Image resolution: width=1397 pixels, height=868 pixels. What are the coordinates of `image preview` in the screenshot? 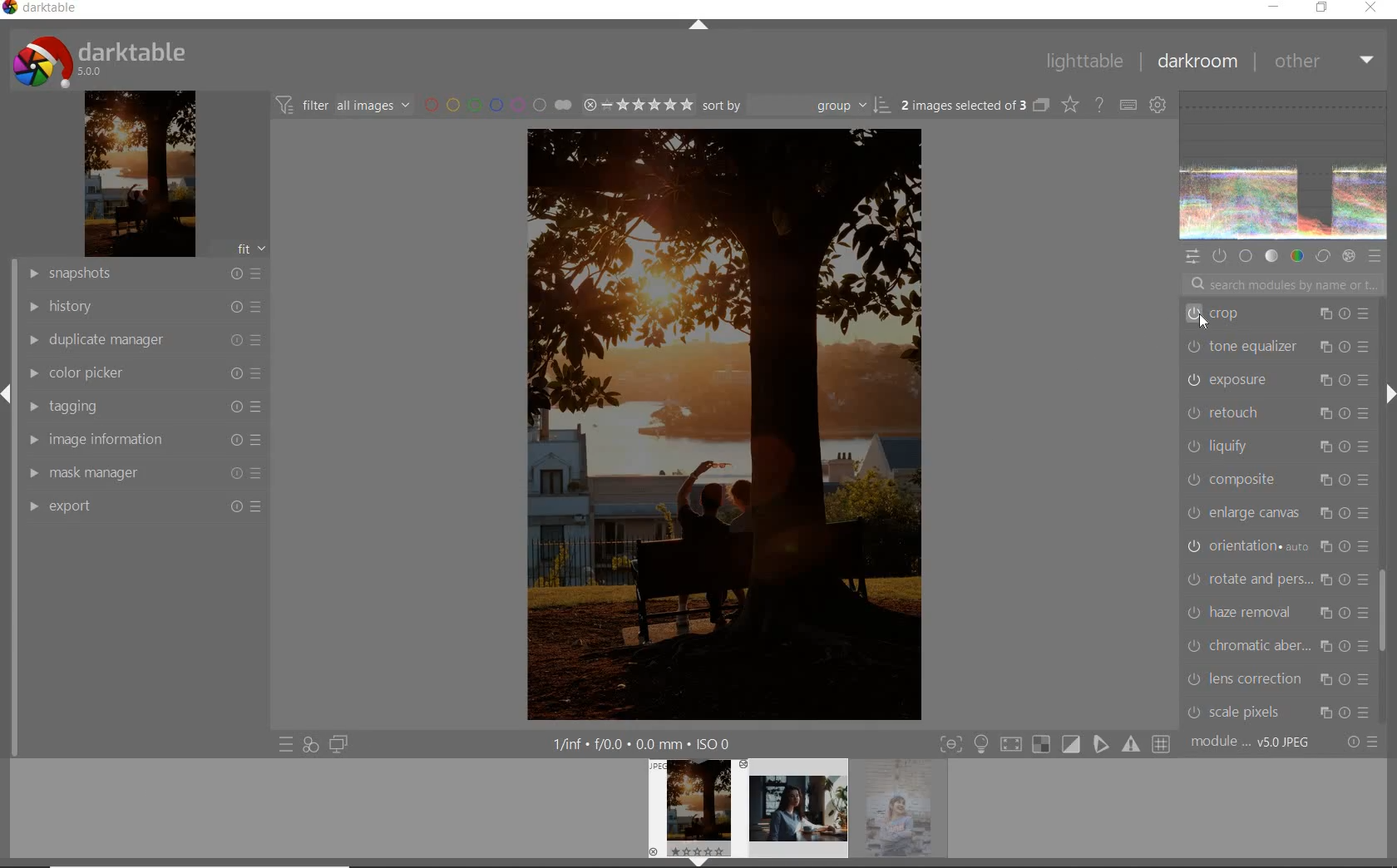 It's located at (797, 813).